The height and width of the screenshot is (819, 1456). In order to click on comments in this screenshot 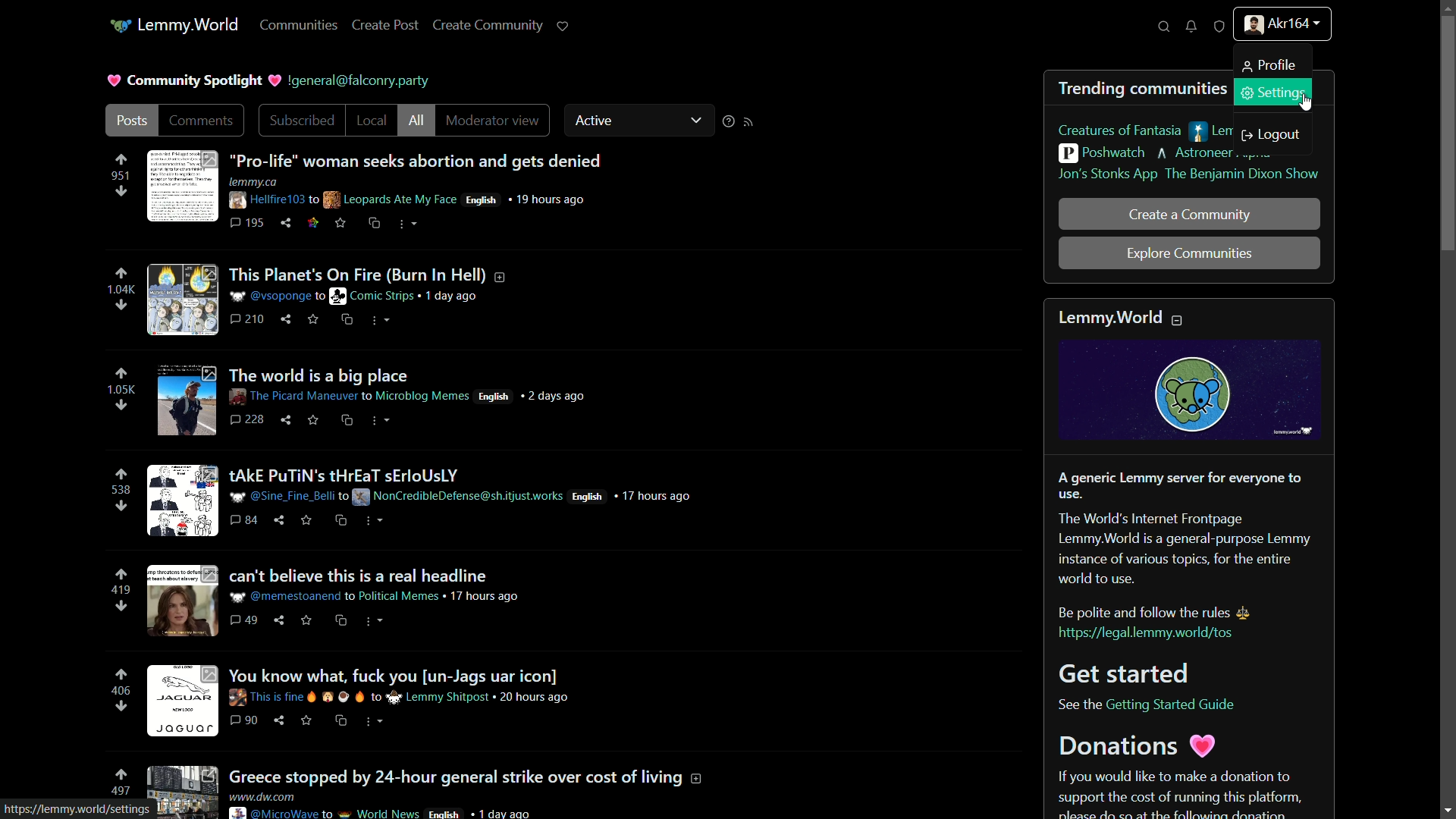, I will do `click(202, 120)`.